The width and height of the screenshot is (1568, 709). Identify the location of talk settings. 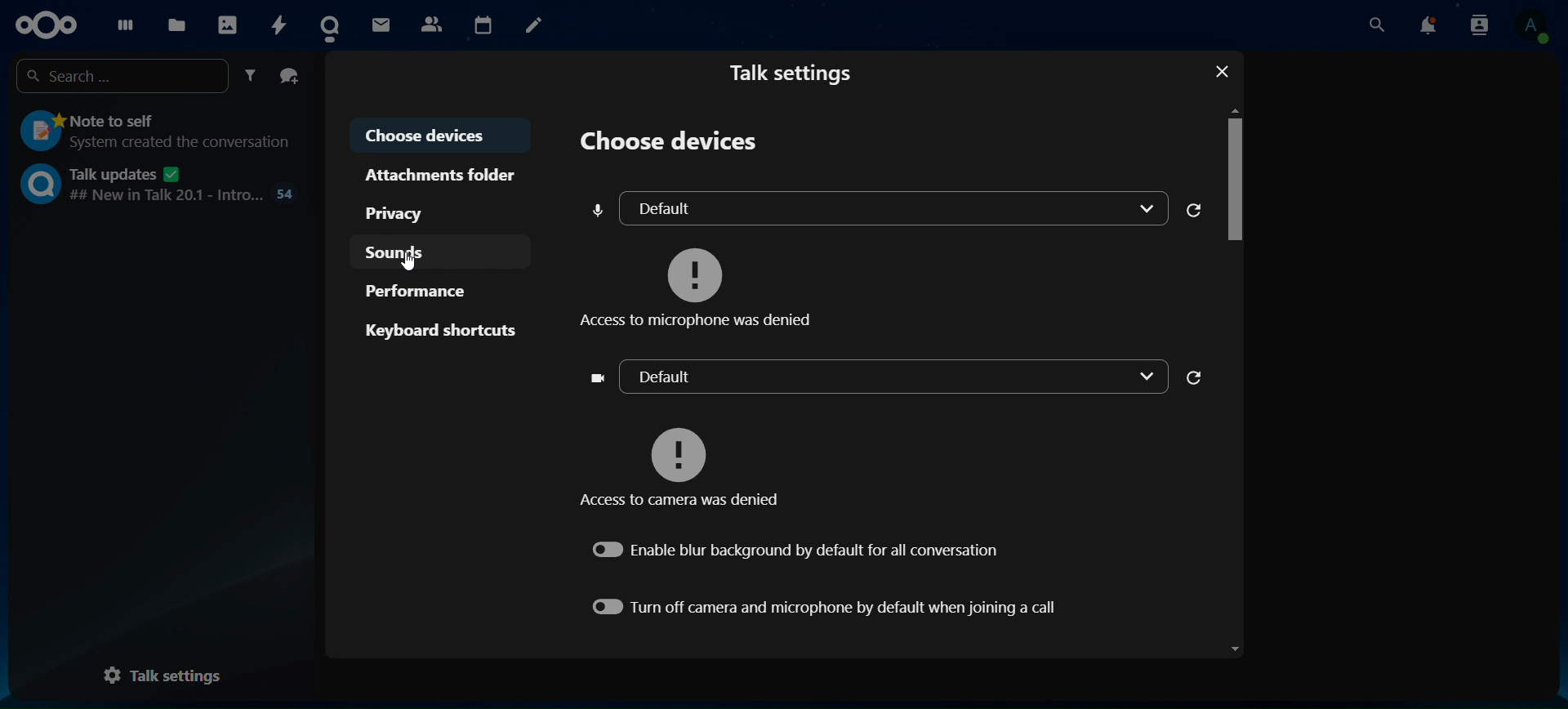
(163, 672).